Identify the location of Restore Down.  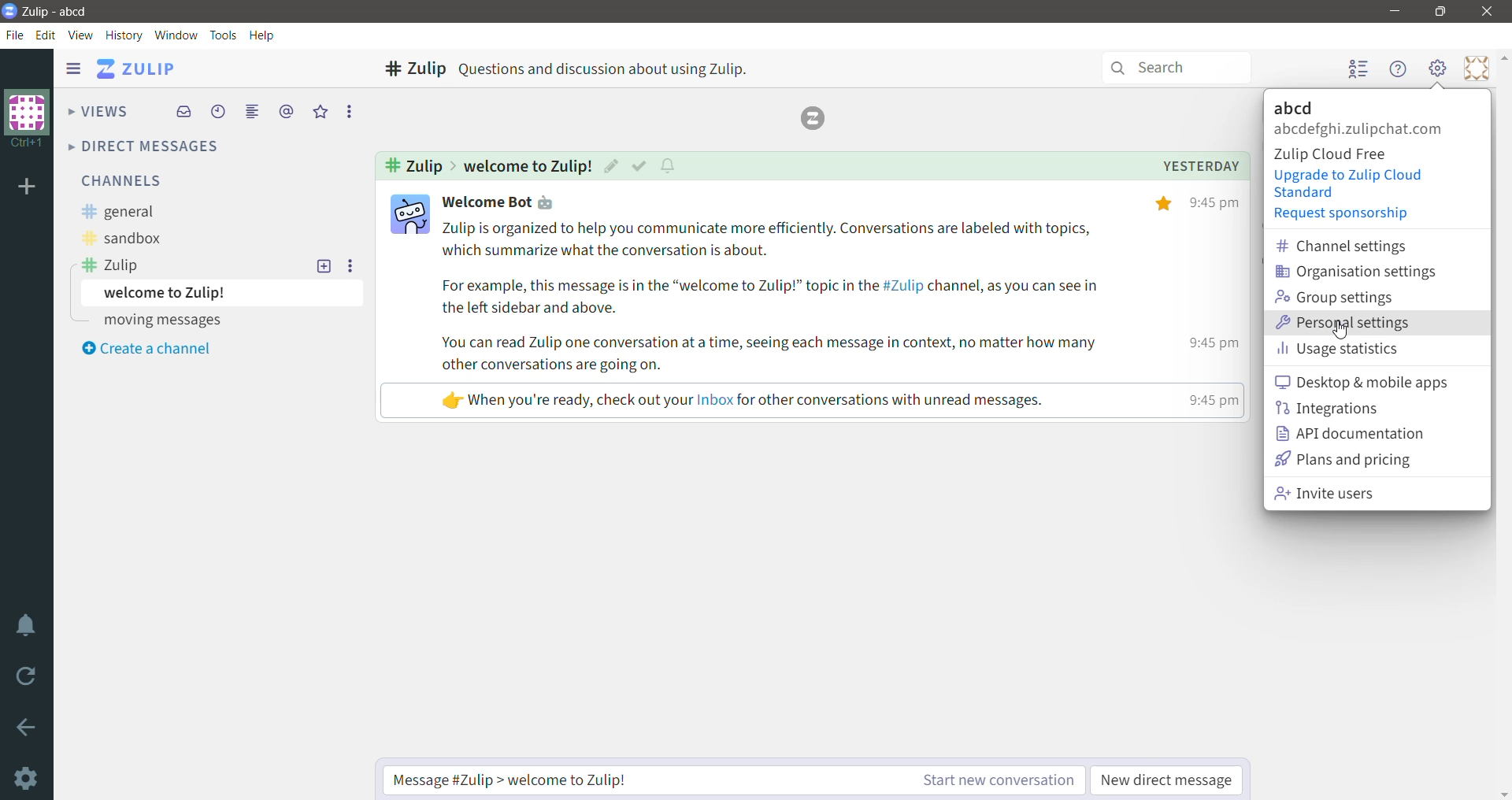
(1443, 12).